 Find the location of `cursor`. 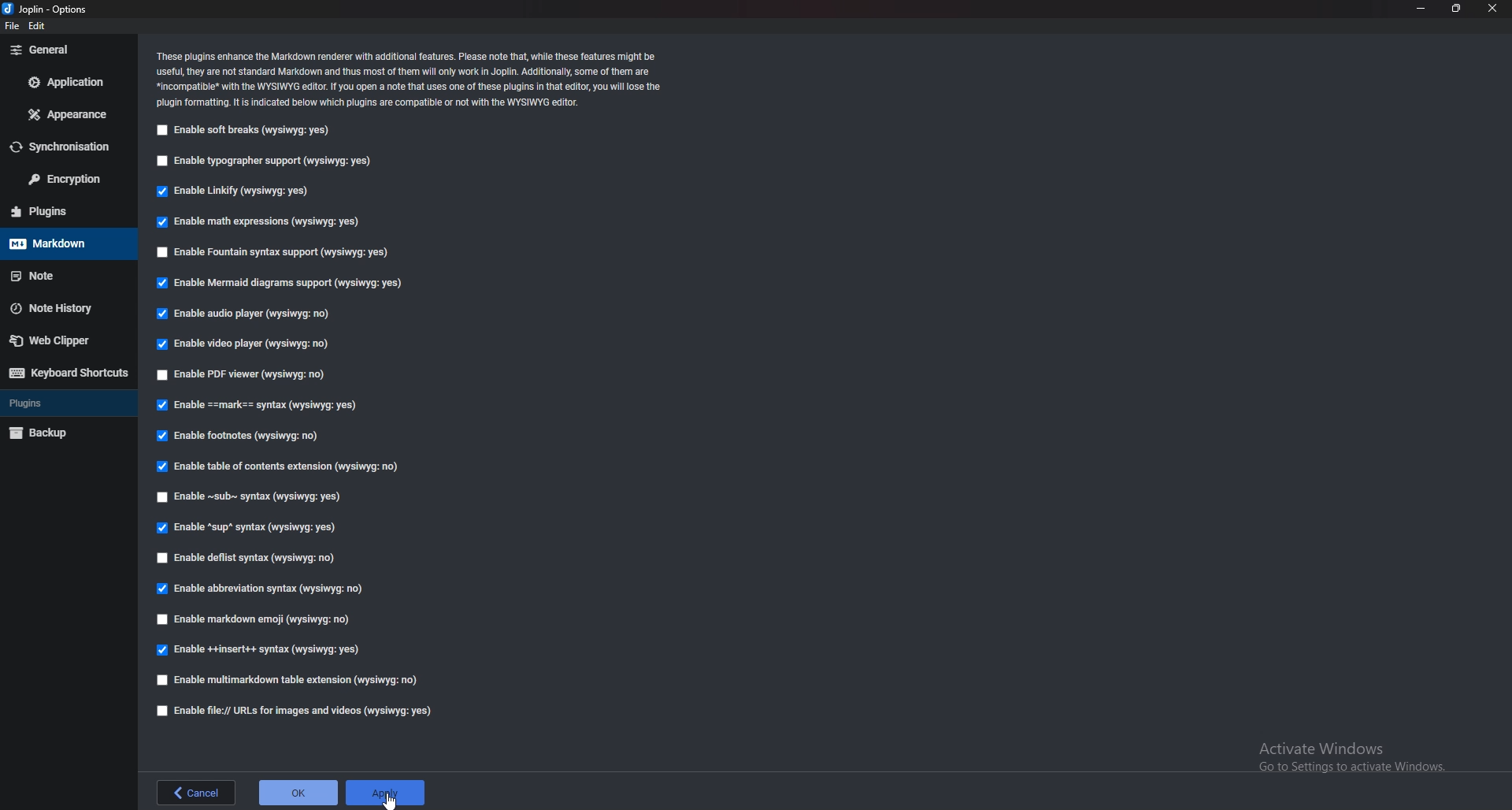

cursor is located at coordinates (383, 799).